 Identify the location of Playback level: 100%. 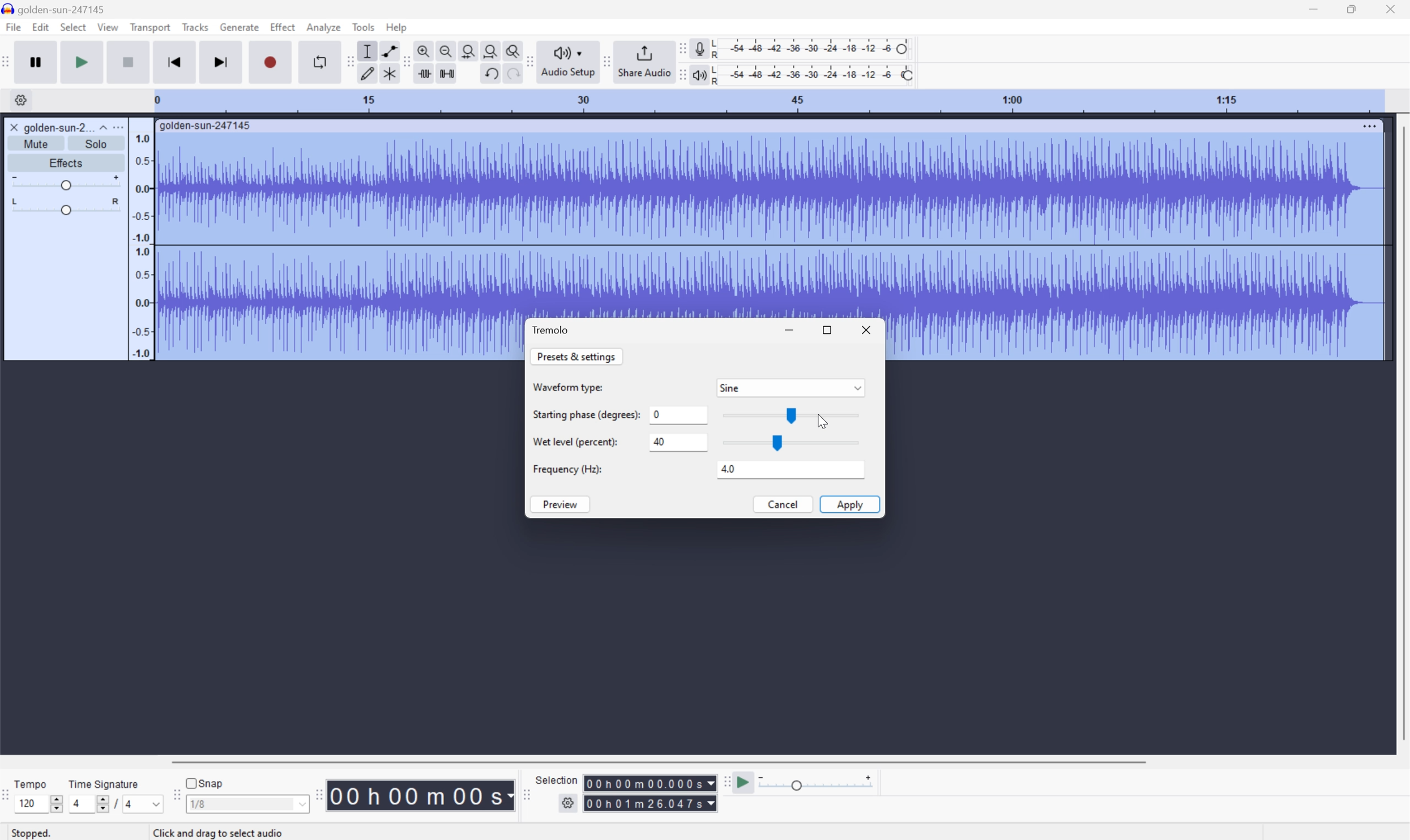
(814, 74).